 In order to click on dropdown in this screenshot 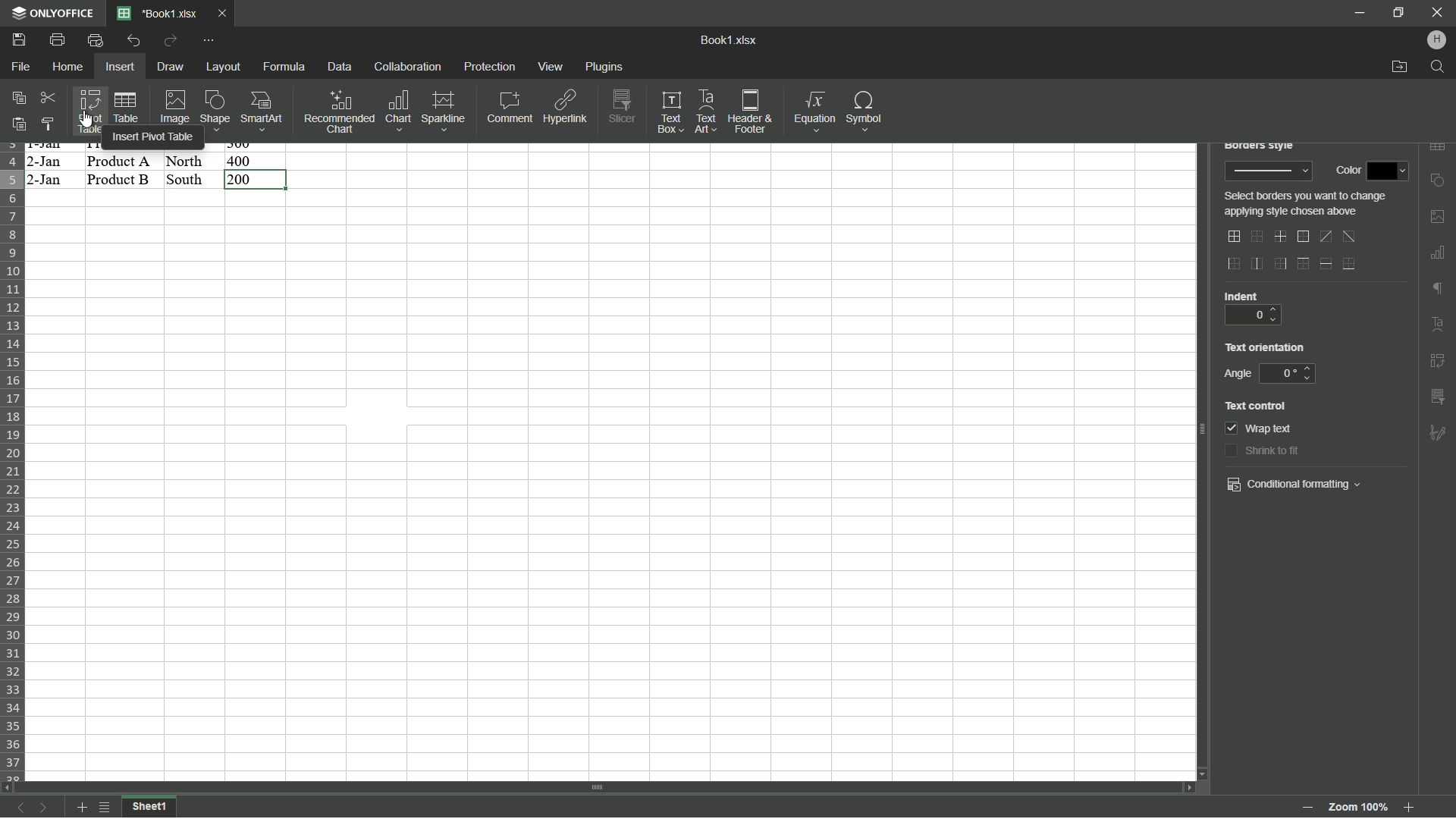, I will do `click(1359, 485)`.